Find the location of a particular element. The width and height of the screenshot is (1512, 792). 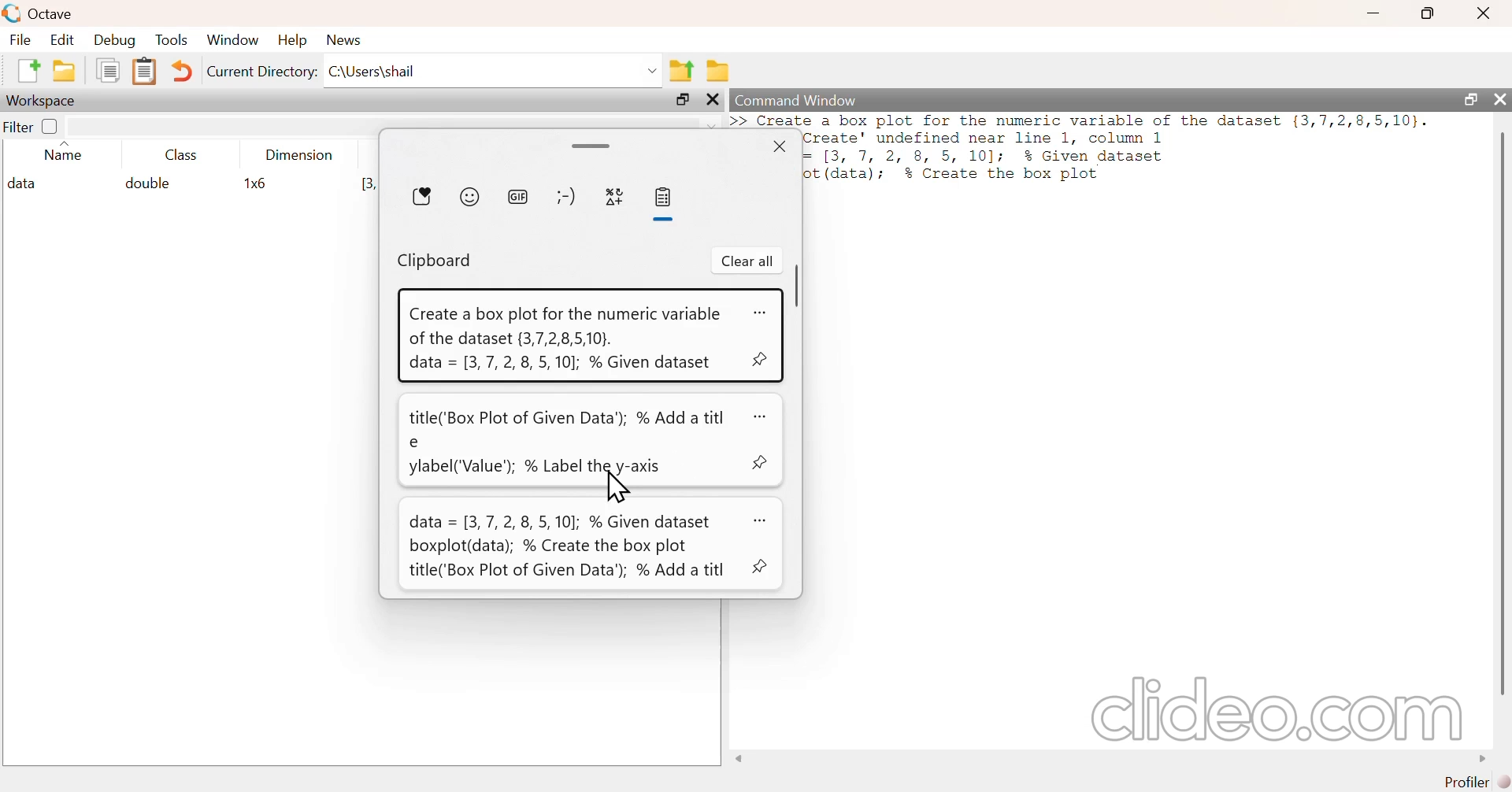

close is located at coordinates (776, 145).